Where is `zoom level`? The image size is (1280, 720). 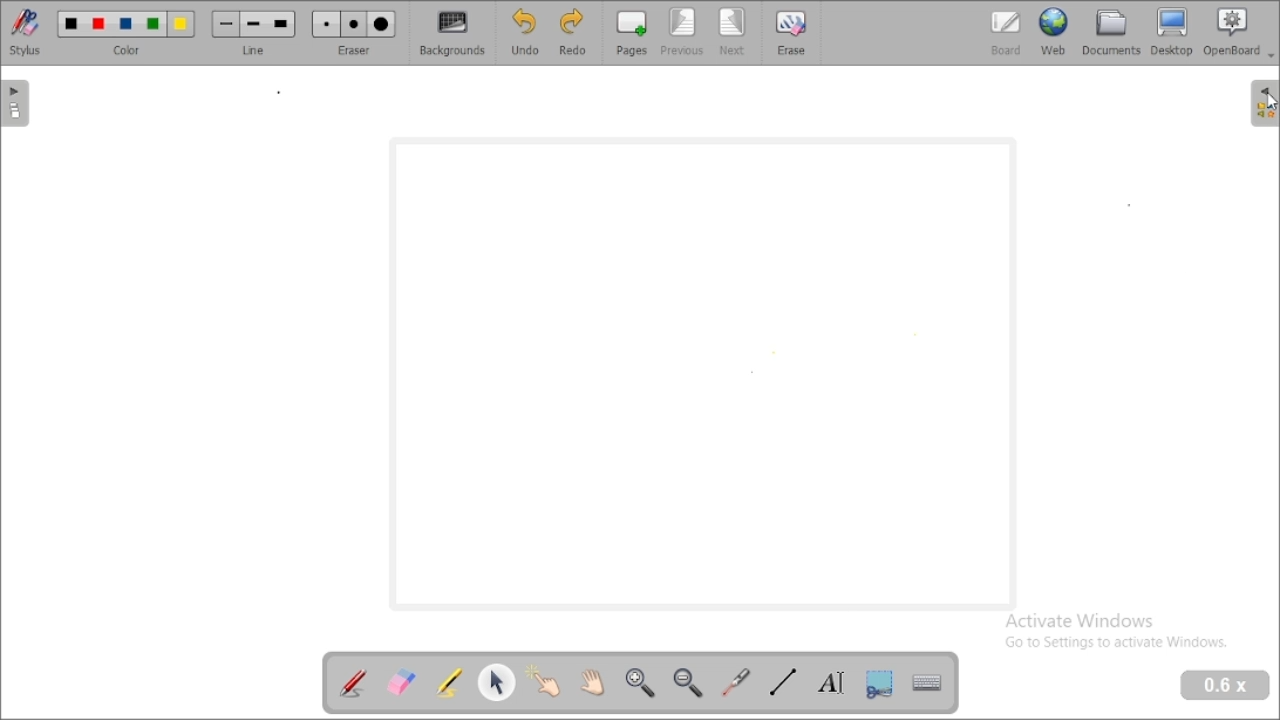 zoom level is located at coordinates (1225, 686).